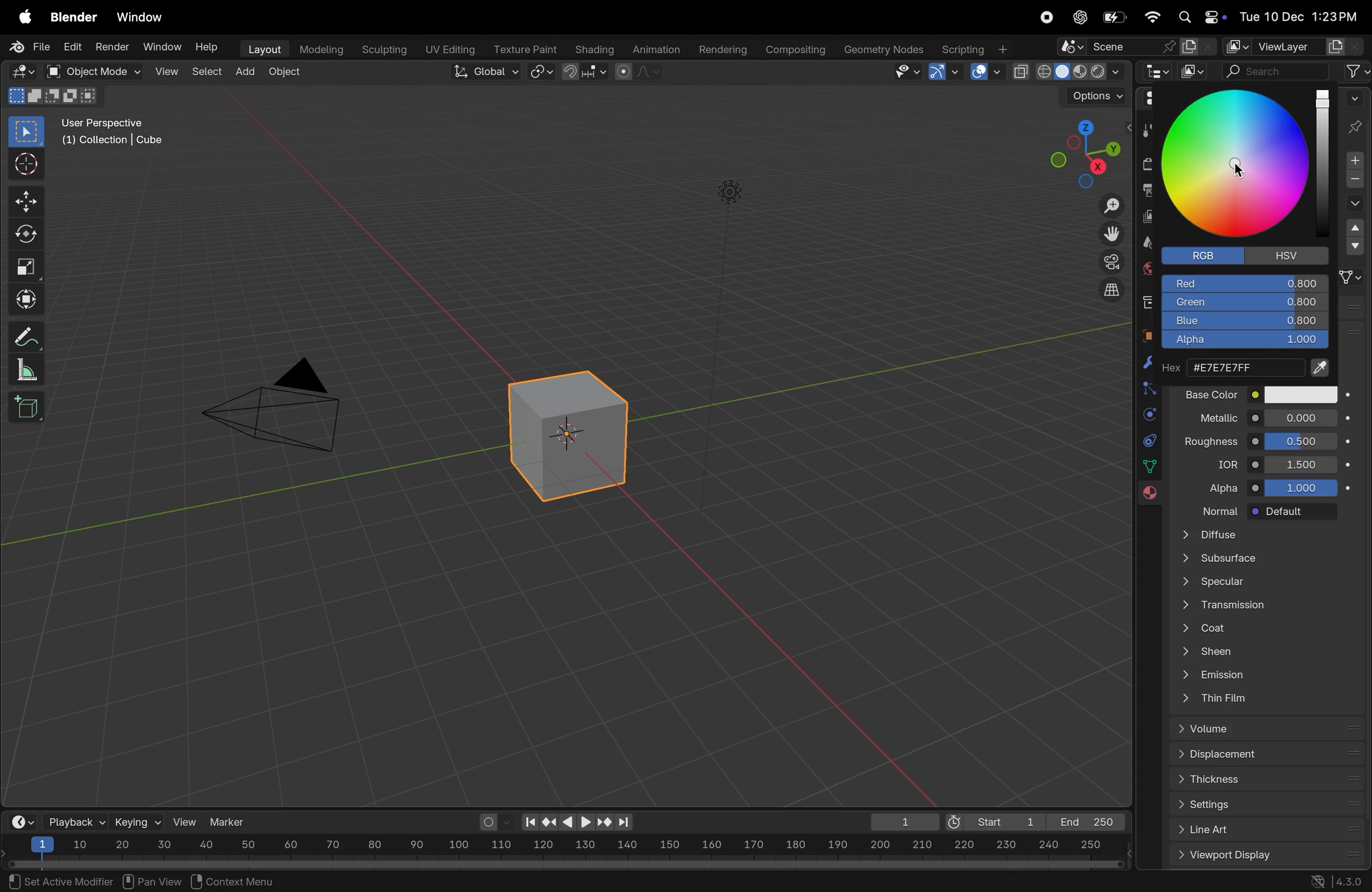 This screenshot has height=892, width=1372. Describe the element at coordinates (1352, 182) in the screenshot. I see `subtarct material` at that location.